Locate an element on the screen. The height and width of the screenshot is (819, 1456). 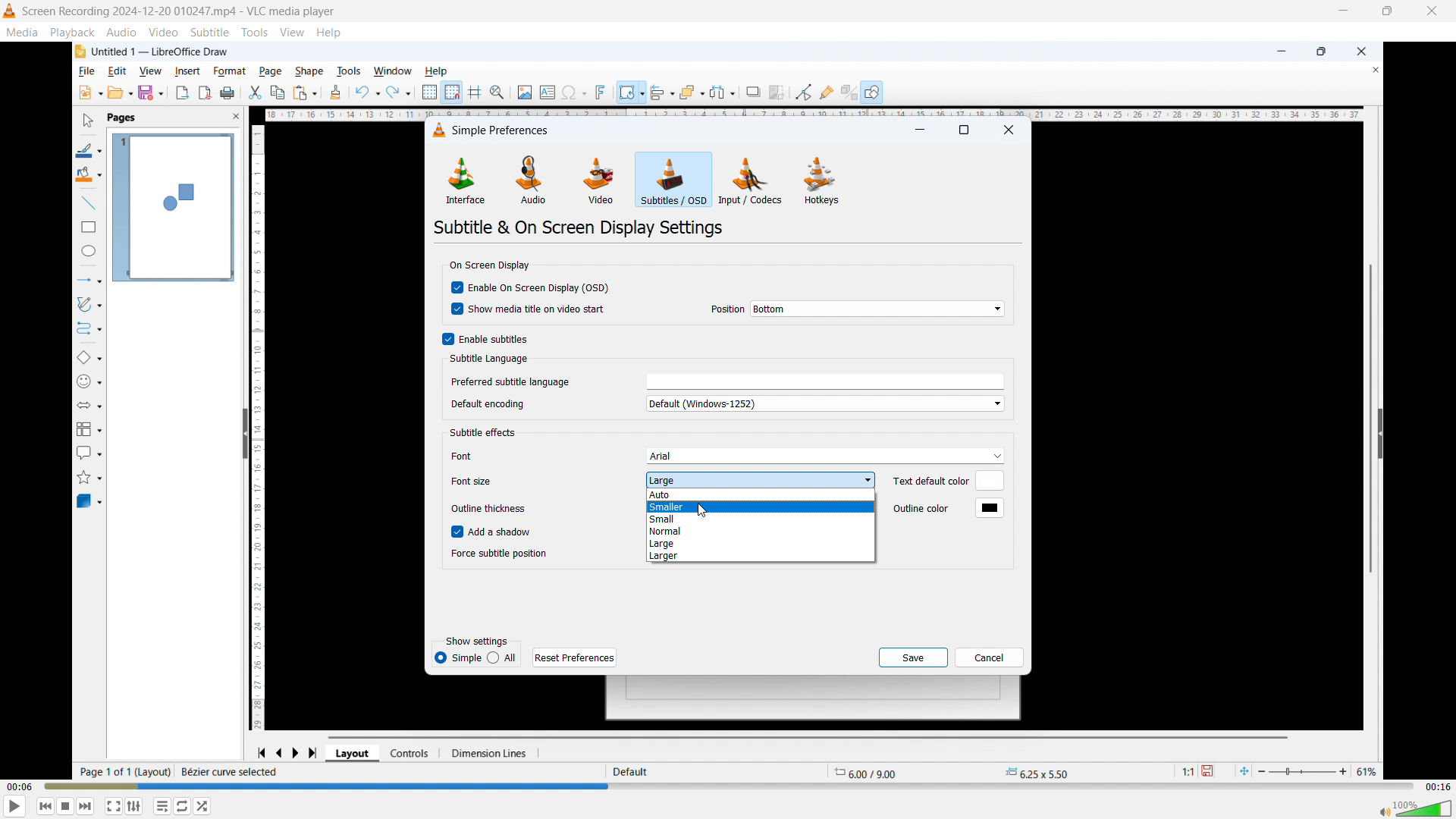
Cursor is located at coordinates (704, 512).